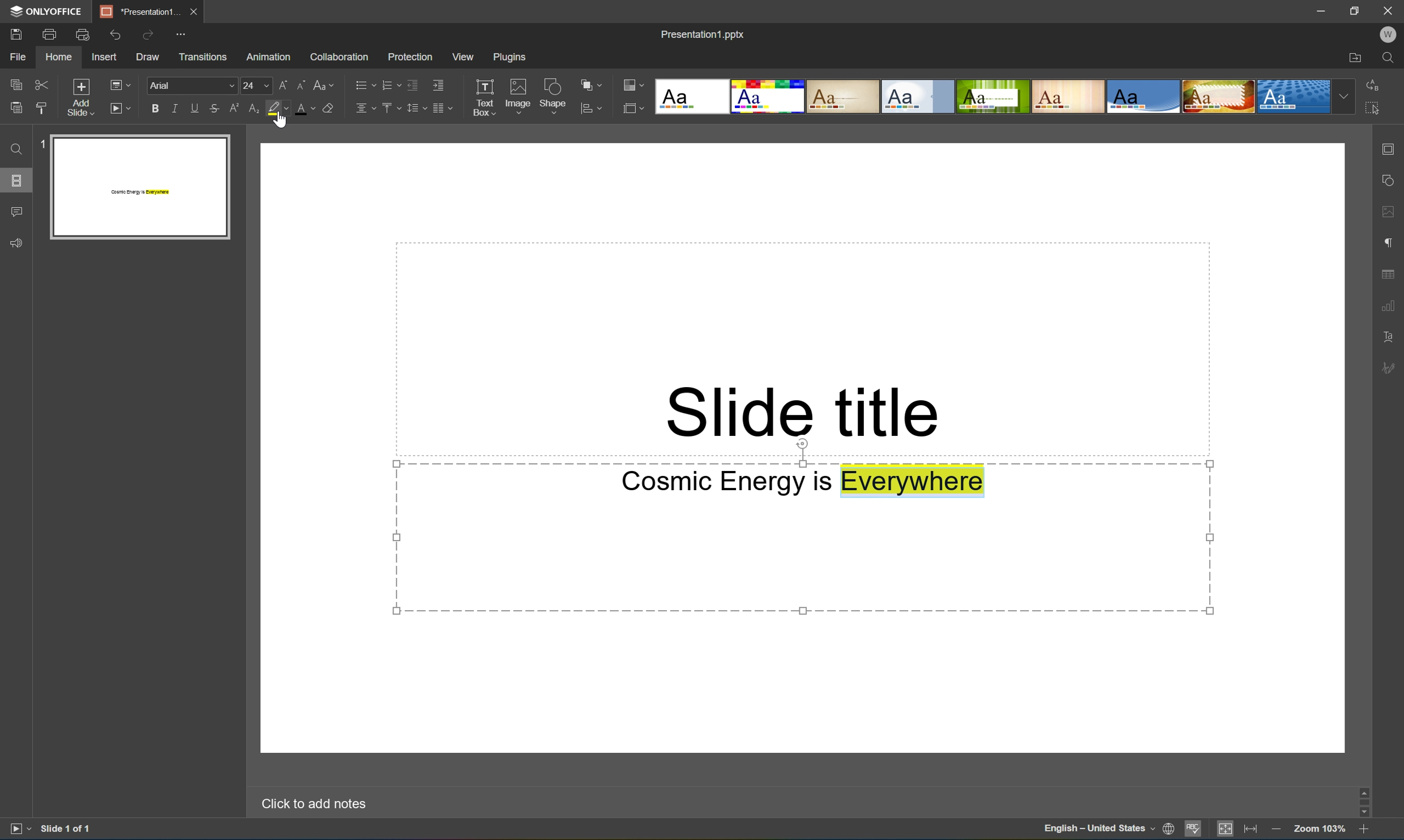  What do you see at coordinates (172, 108) in the screenshot?
I see `Italic` at bounding box center [172, 108].